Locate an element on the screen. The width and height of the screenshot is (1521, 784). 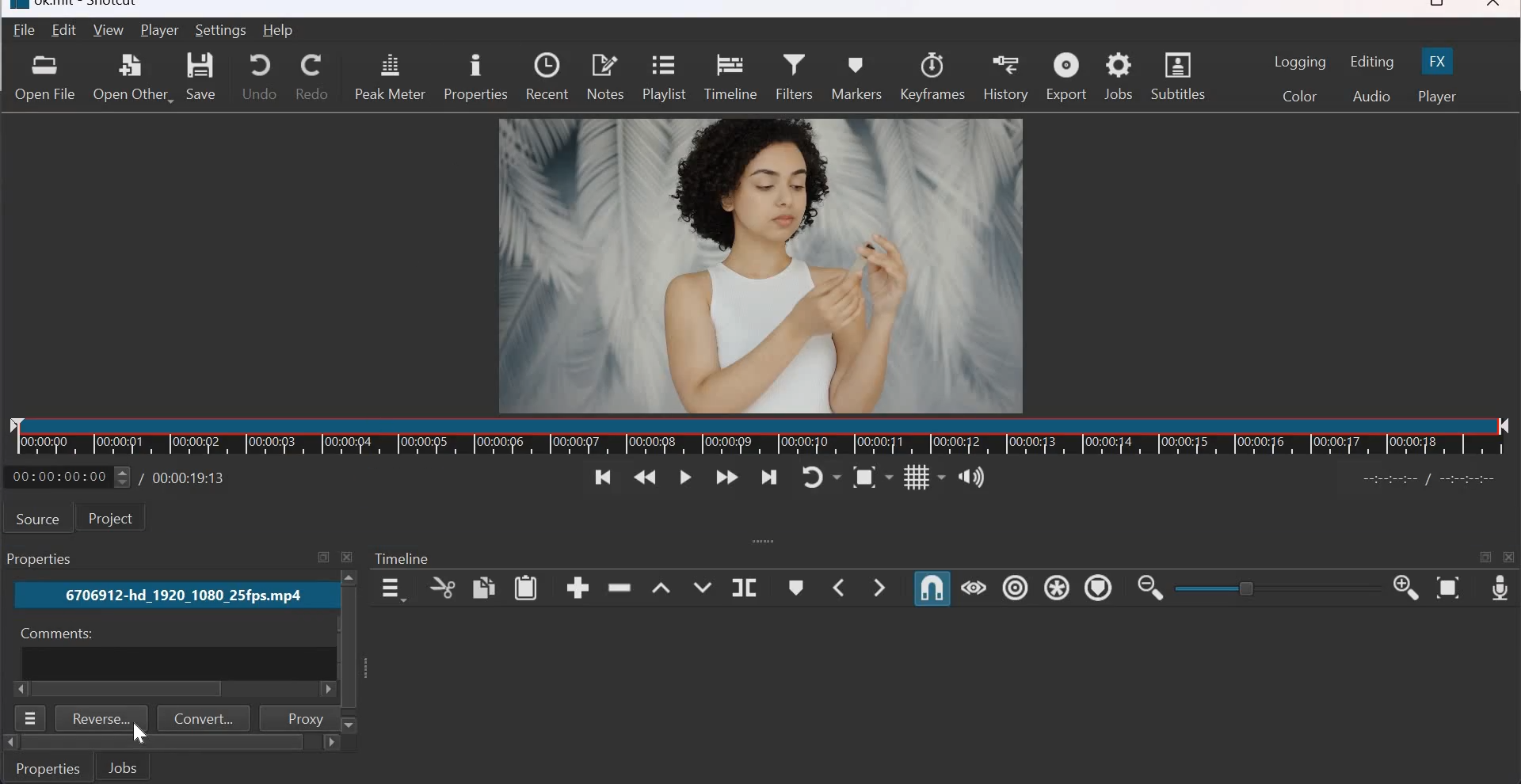
Undo is located at coordinates (260, 75).